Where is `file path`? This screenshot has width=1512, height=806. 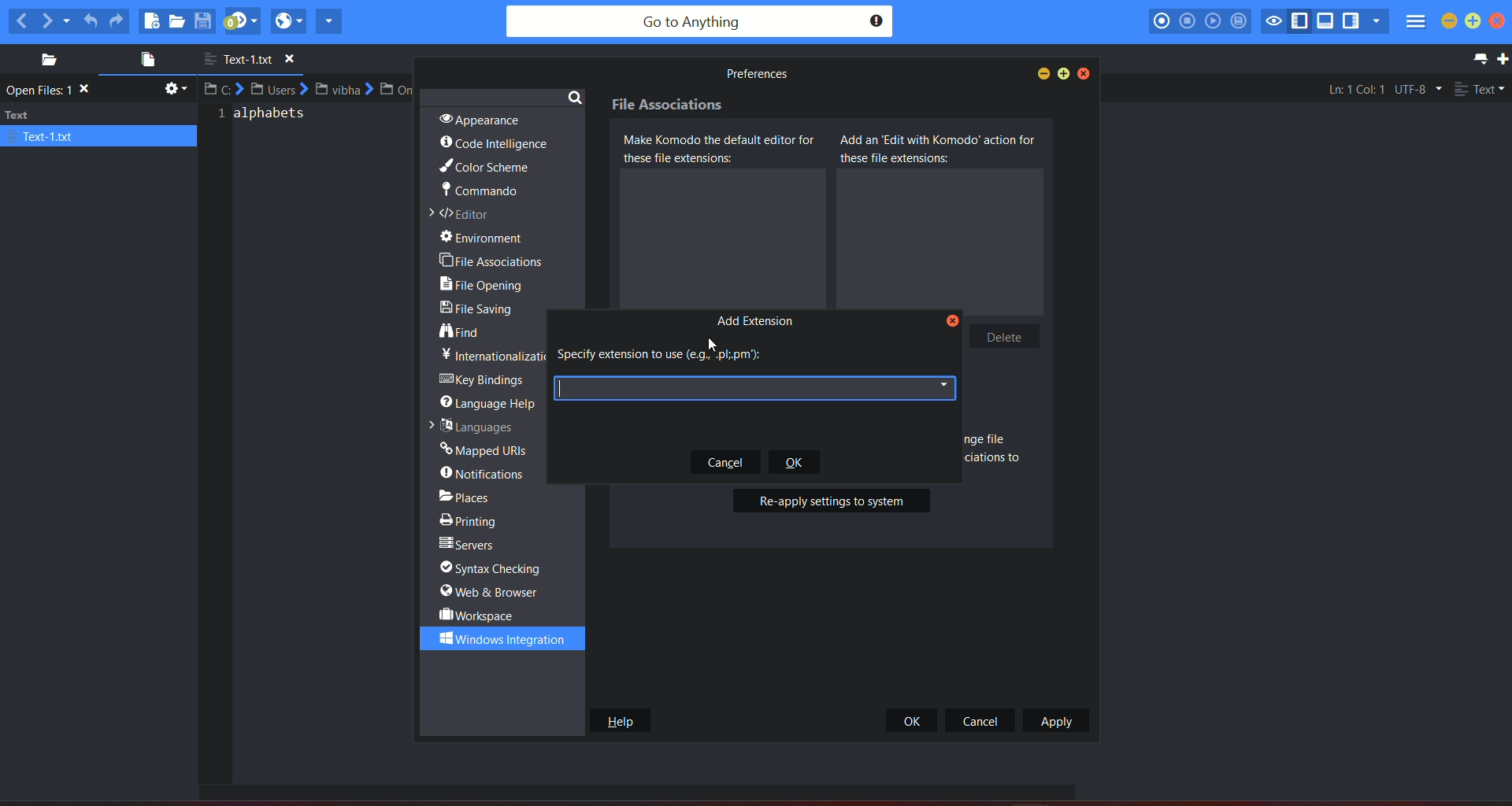
file path is located at coordinates (311, 89).